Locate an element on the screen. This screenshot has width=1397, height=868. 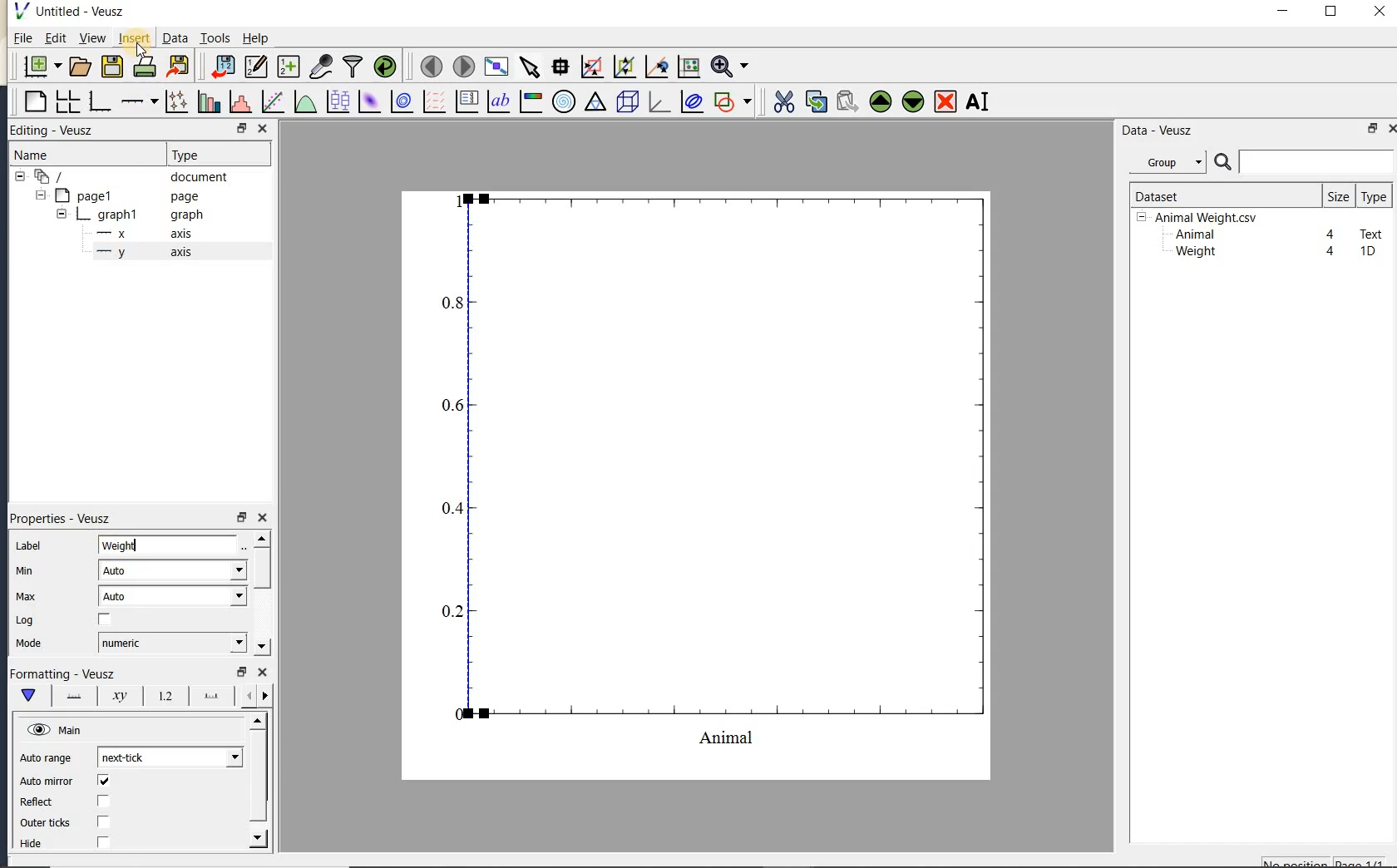
move to the previous page is located at coordinates (428, 65).